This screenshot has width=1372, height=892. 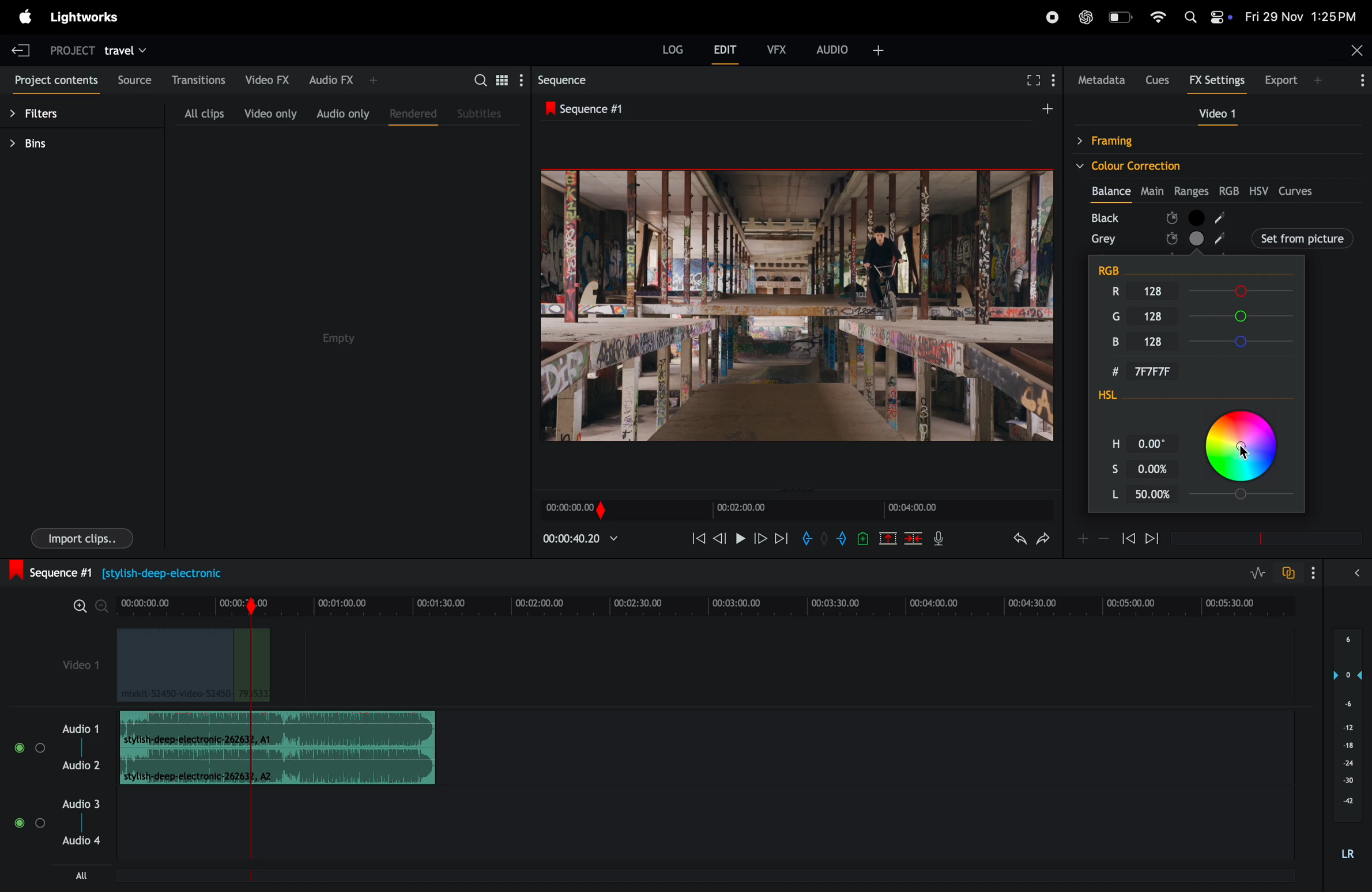 I want to click on Audio Clip, so click(x=277, y=765).